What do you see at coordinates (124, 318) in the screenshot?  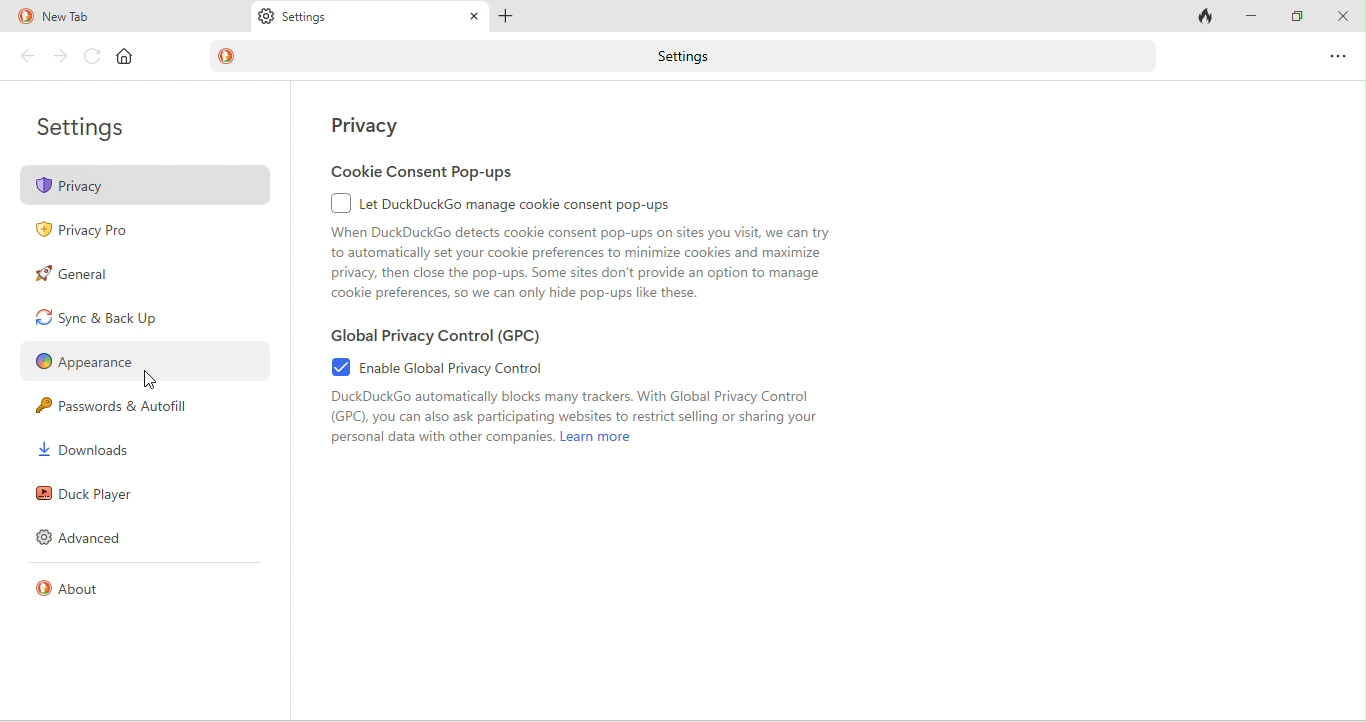 I see `sync and back up` at bounding box center [124, 318].